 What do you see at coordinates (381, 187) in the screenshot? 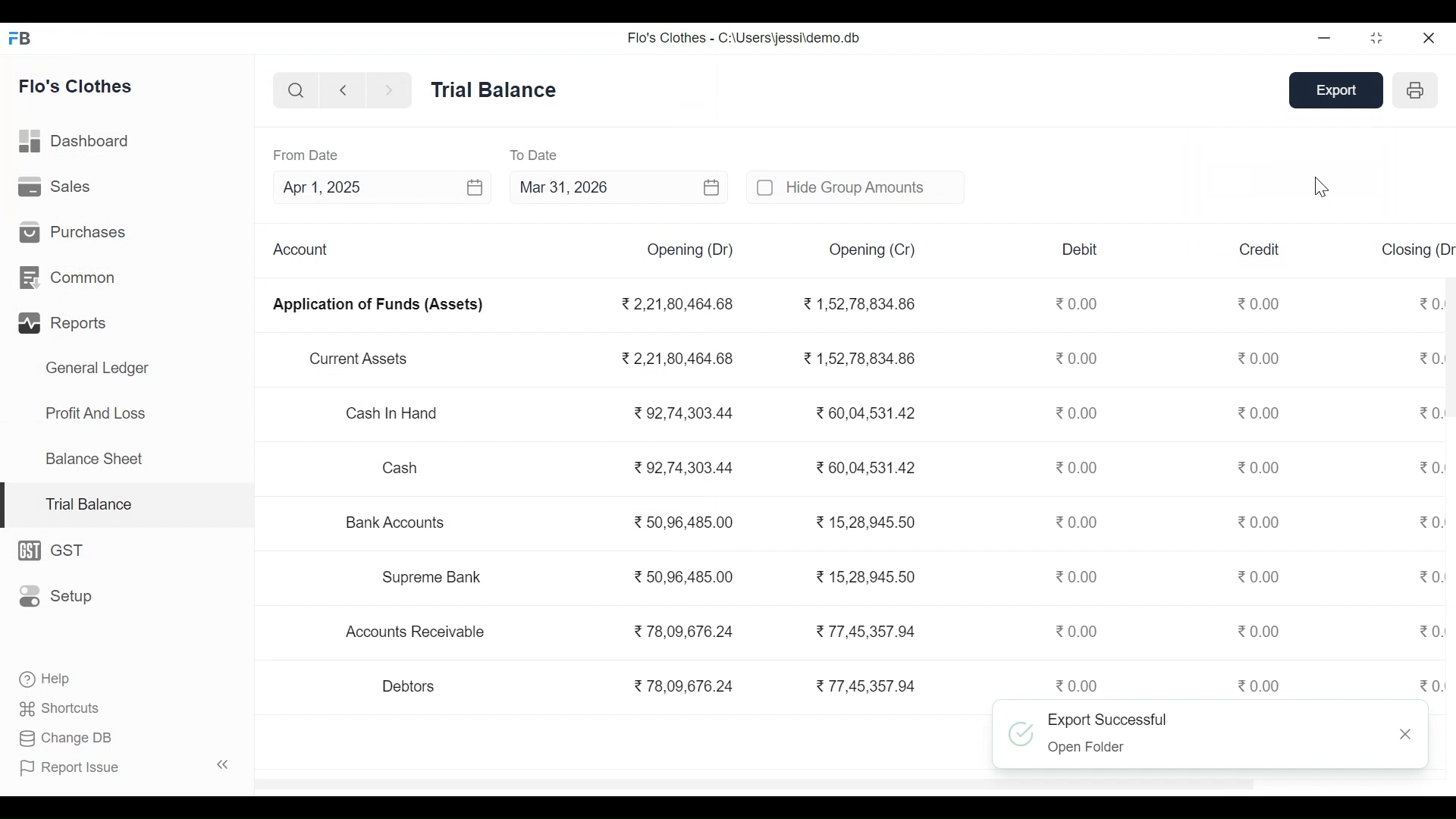
I see `Apr 1, 2025` at bounding box center [381, 187].